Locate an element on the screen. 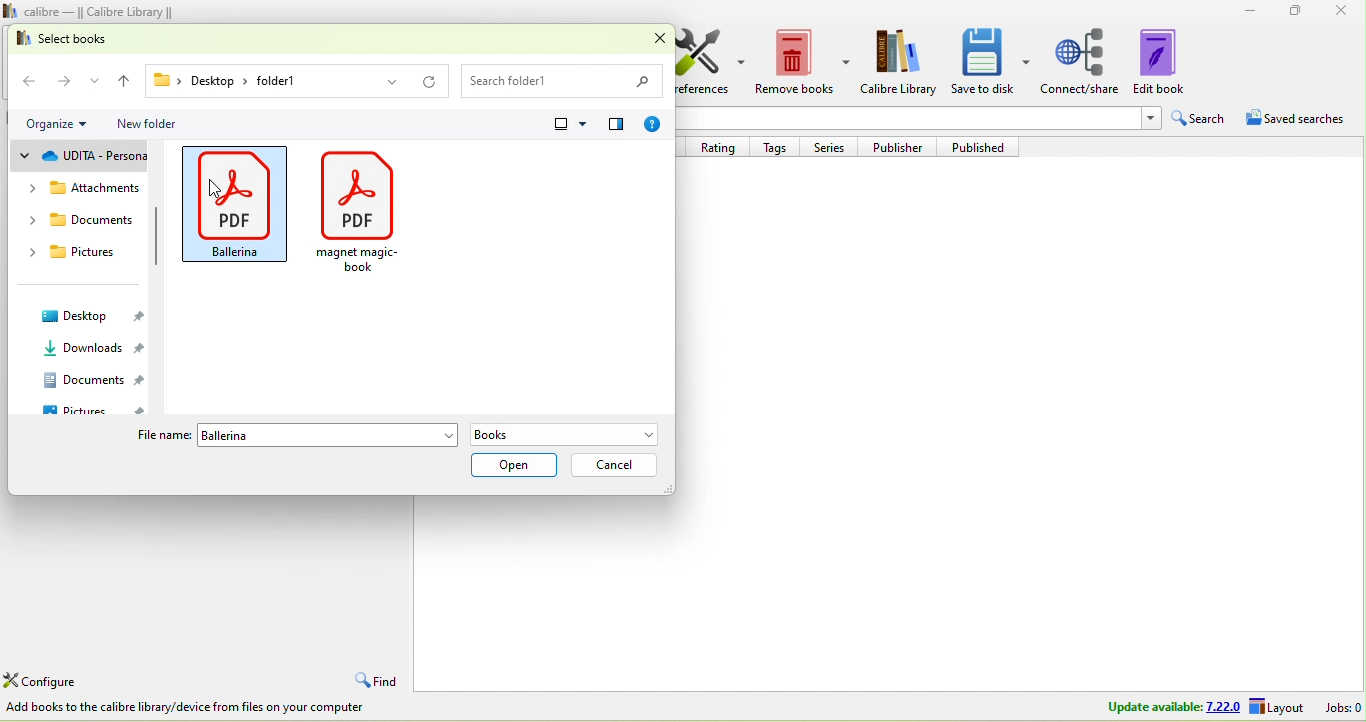  minimize is located at coordinates (1245, 11).